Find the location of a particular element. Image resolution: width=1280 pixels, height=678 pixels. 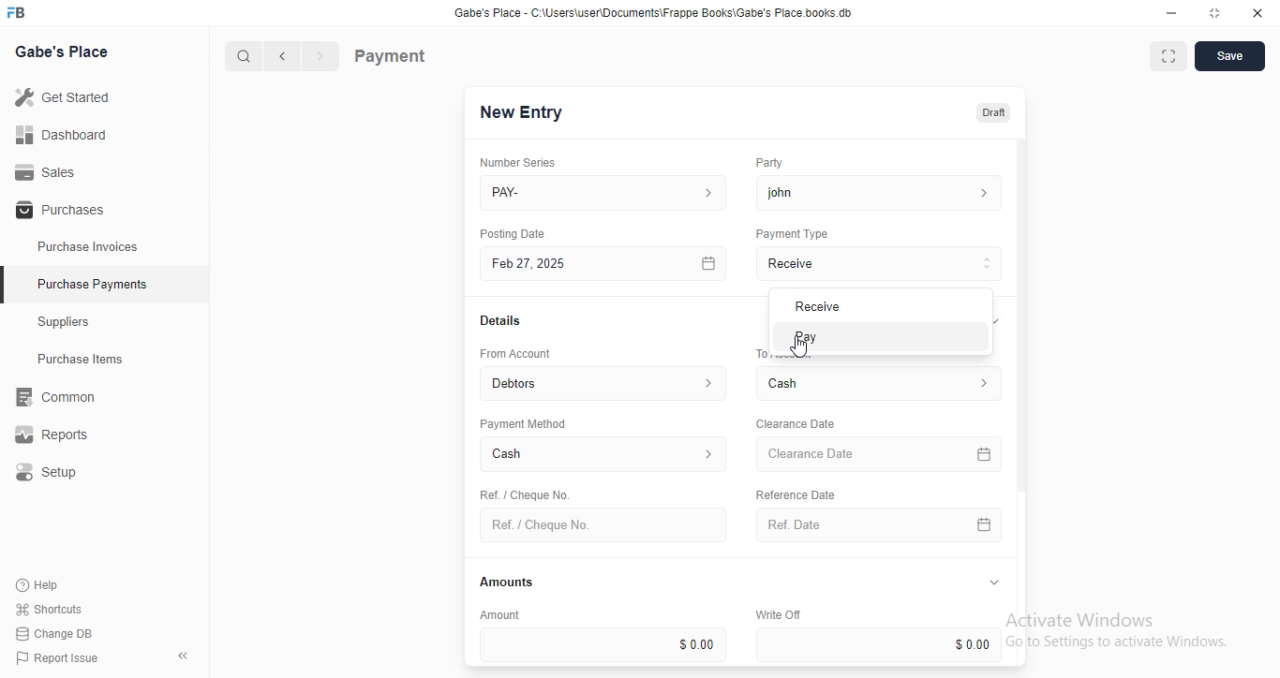

Cash is located at coordinates (604, 456).